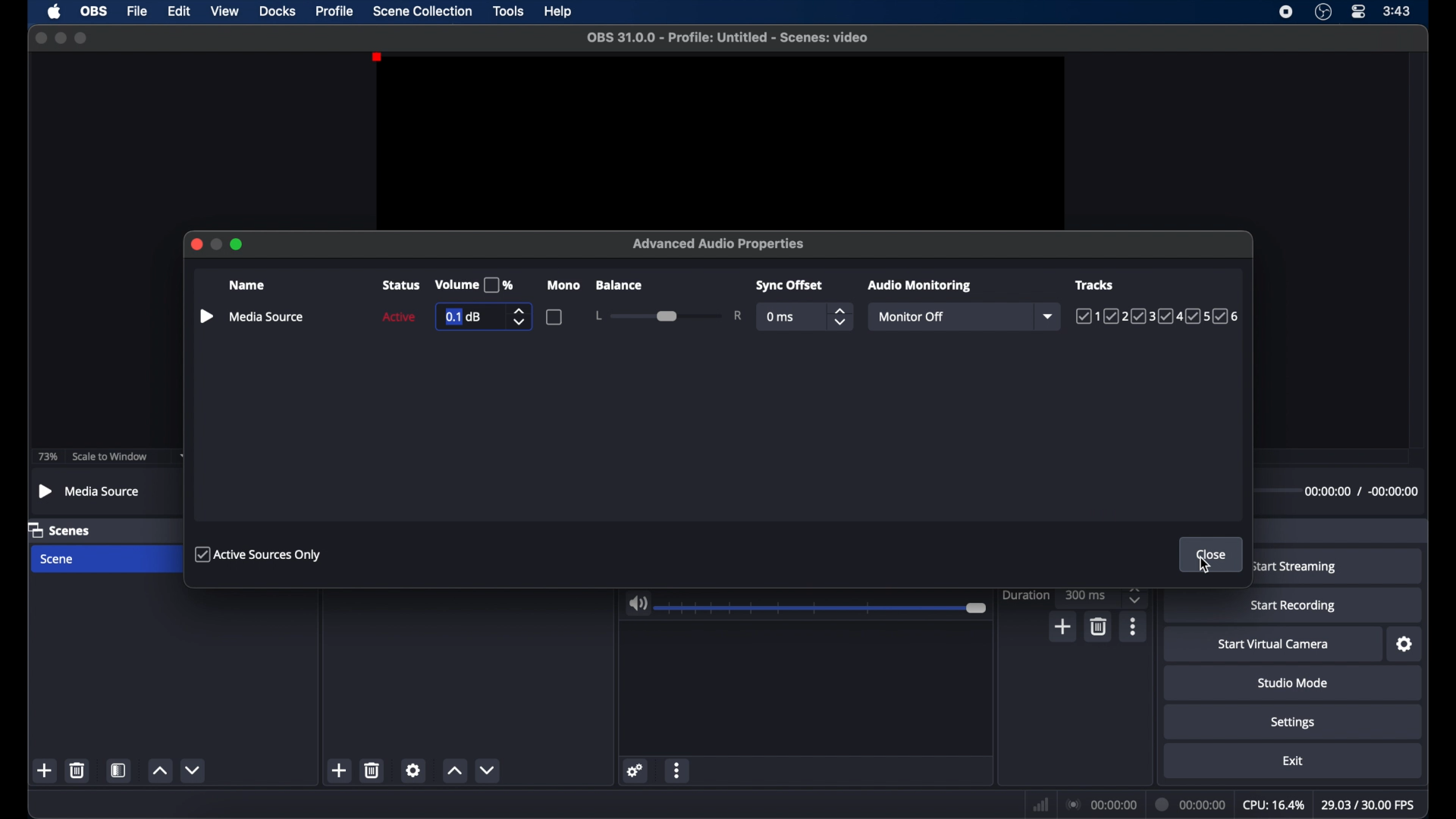 This screenshot has width=1456, height=819. What do you see at coordinates (58, 560) in the screenshot?
I see `scene` at bounding box center [58, 560].